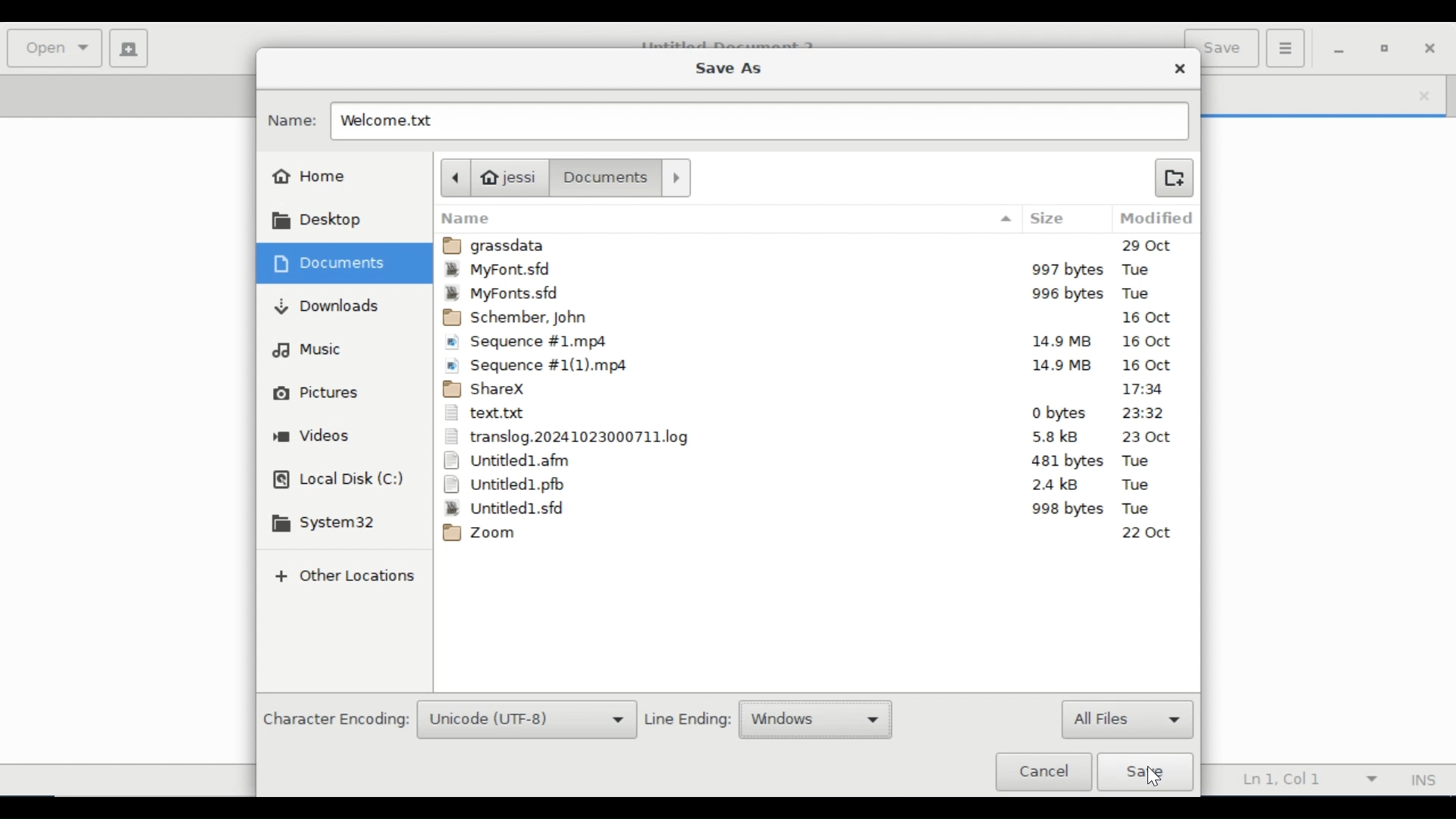 The width and height of the screenshot is (1456, 819). Describe the element at coordinates (813, 318) in the screenshot. I see `Schember, John 16 Oct` at that location.